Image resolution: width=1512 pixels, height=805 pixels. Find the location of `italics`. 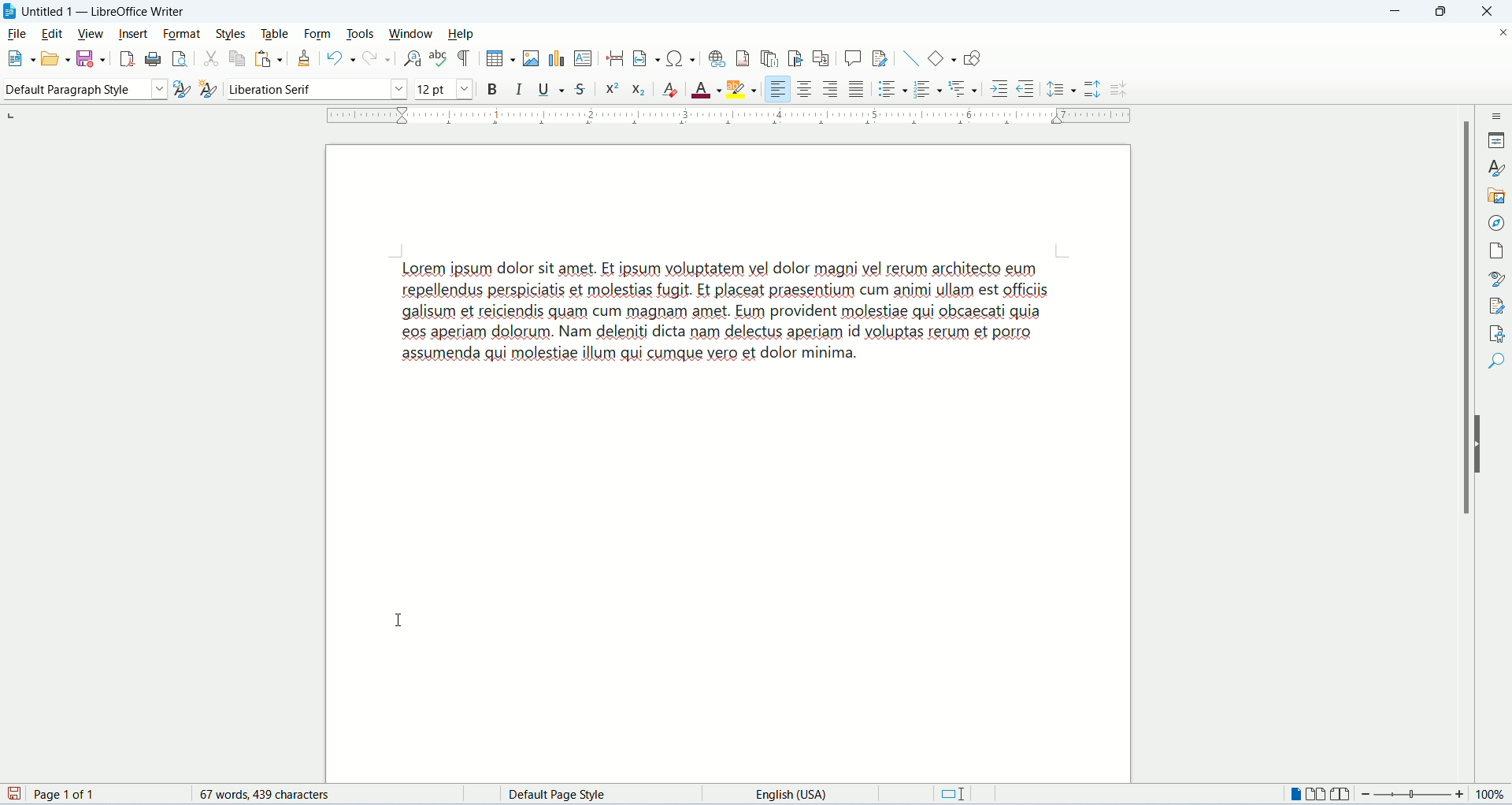

italics is located at coordinates (517, 90).